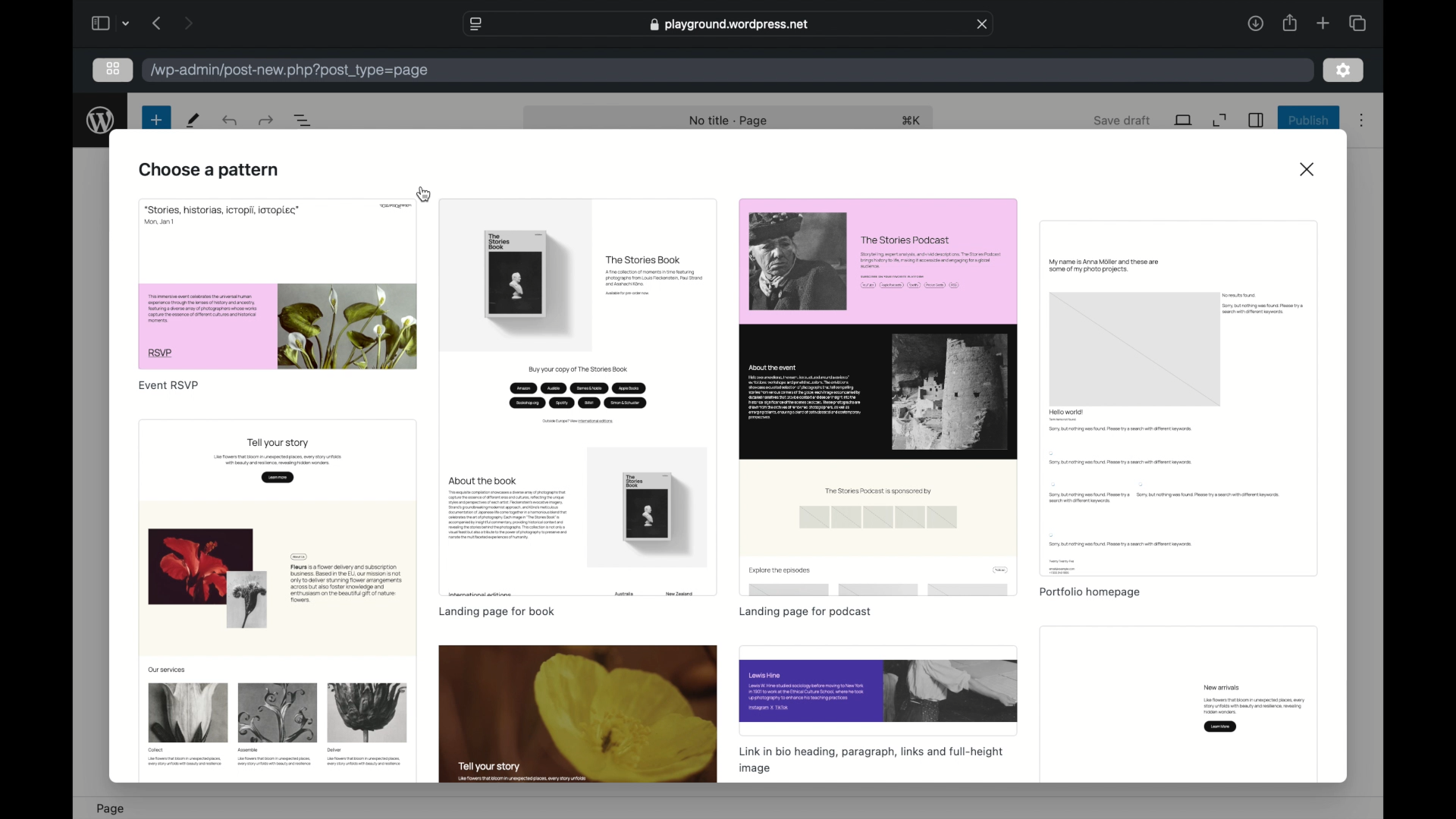  I want to click on expand, so click(1219, 121).